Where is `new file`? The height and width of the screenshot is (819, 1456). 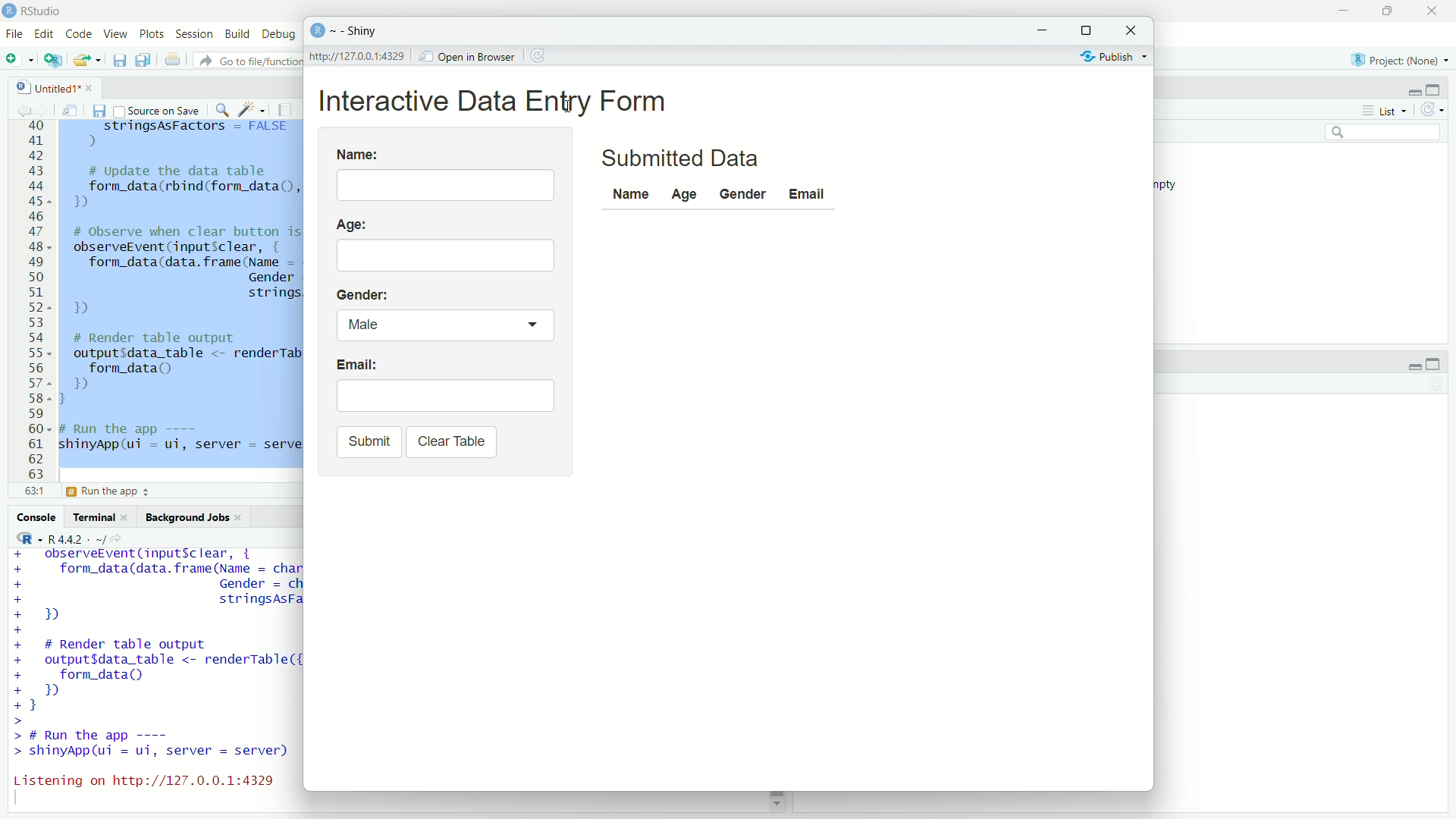
new file is located at coordinates (18, 60).